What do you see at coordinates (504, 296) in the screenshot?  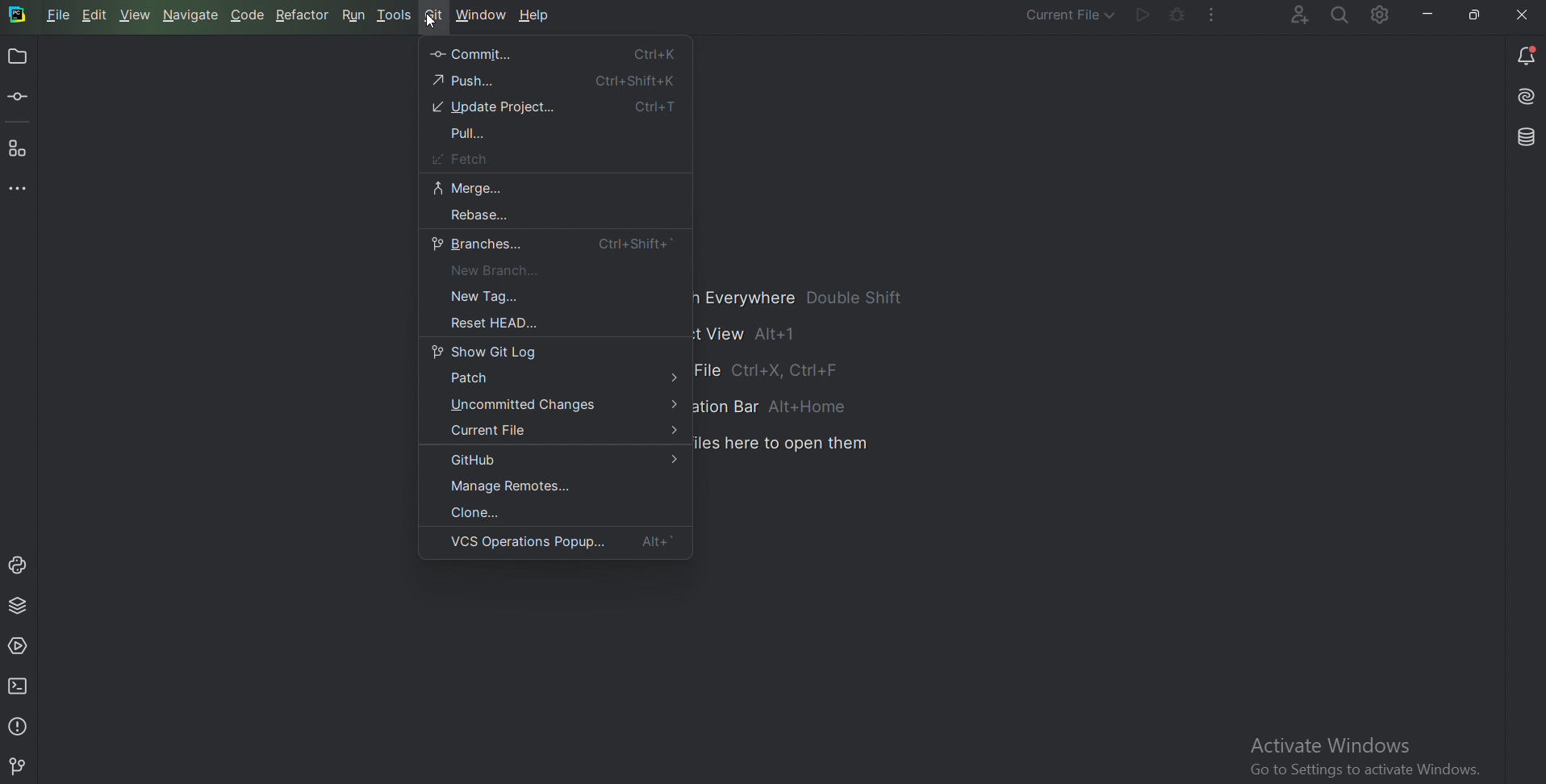 I see `New tag` at bounding box center [504, 296].